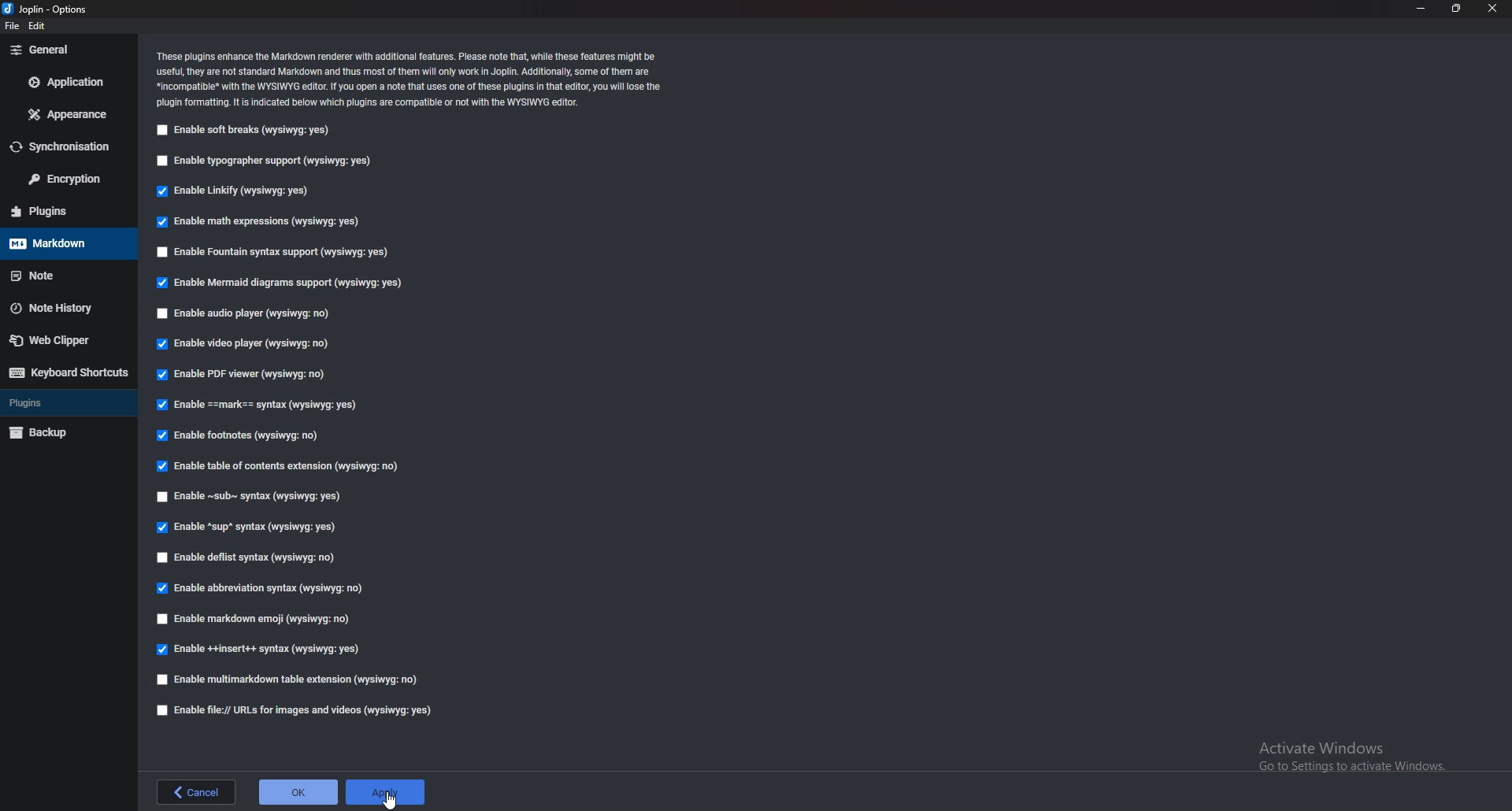 The image size is (1512, 811). I want to click on Enable video player, so click(246, 345).